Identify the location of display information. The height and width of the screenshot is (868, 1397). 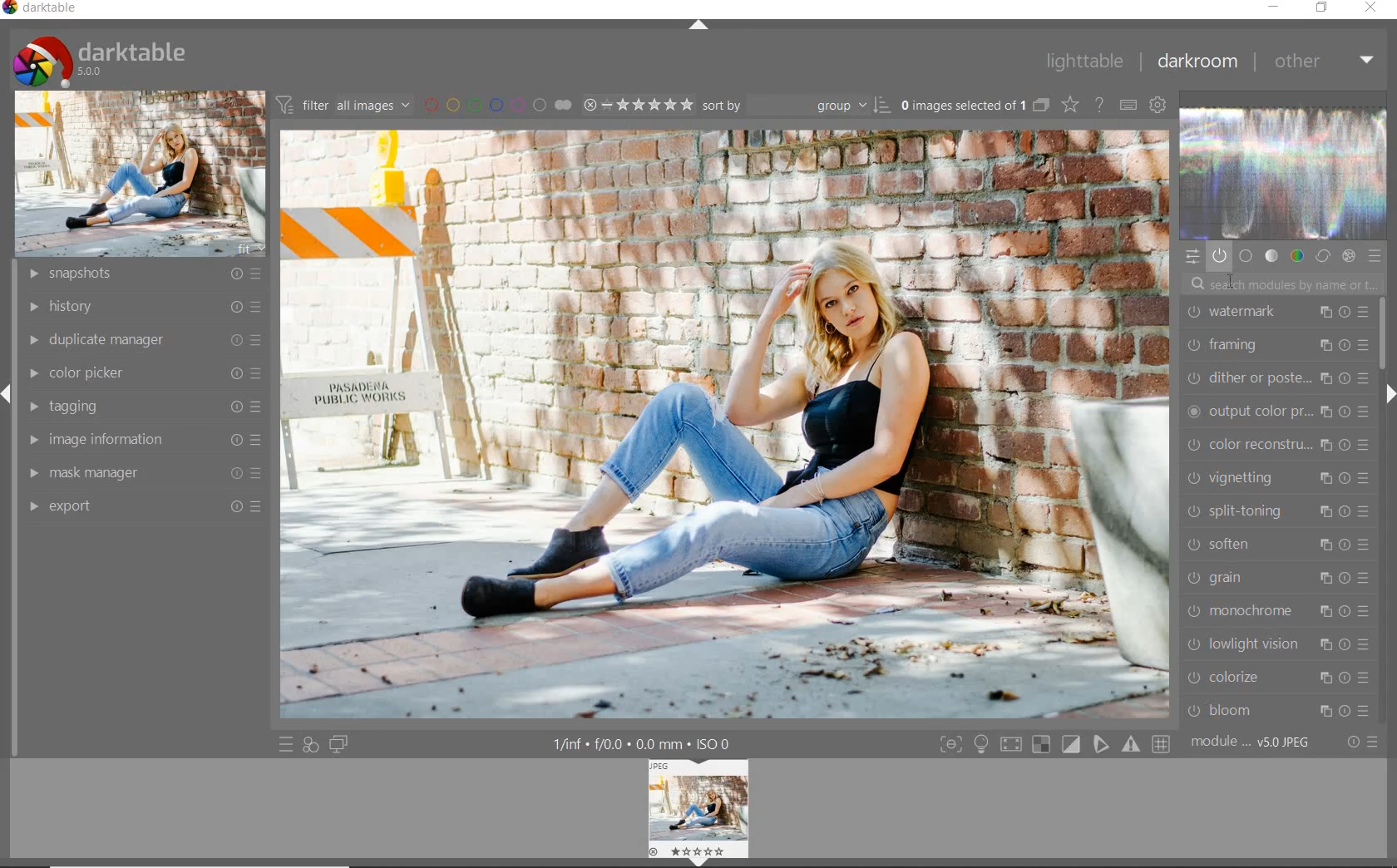
(655, 744).